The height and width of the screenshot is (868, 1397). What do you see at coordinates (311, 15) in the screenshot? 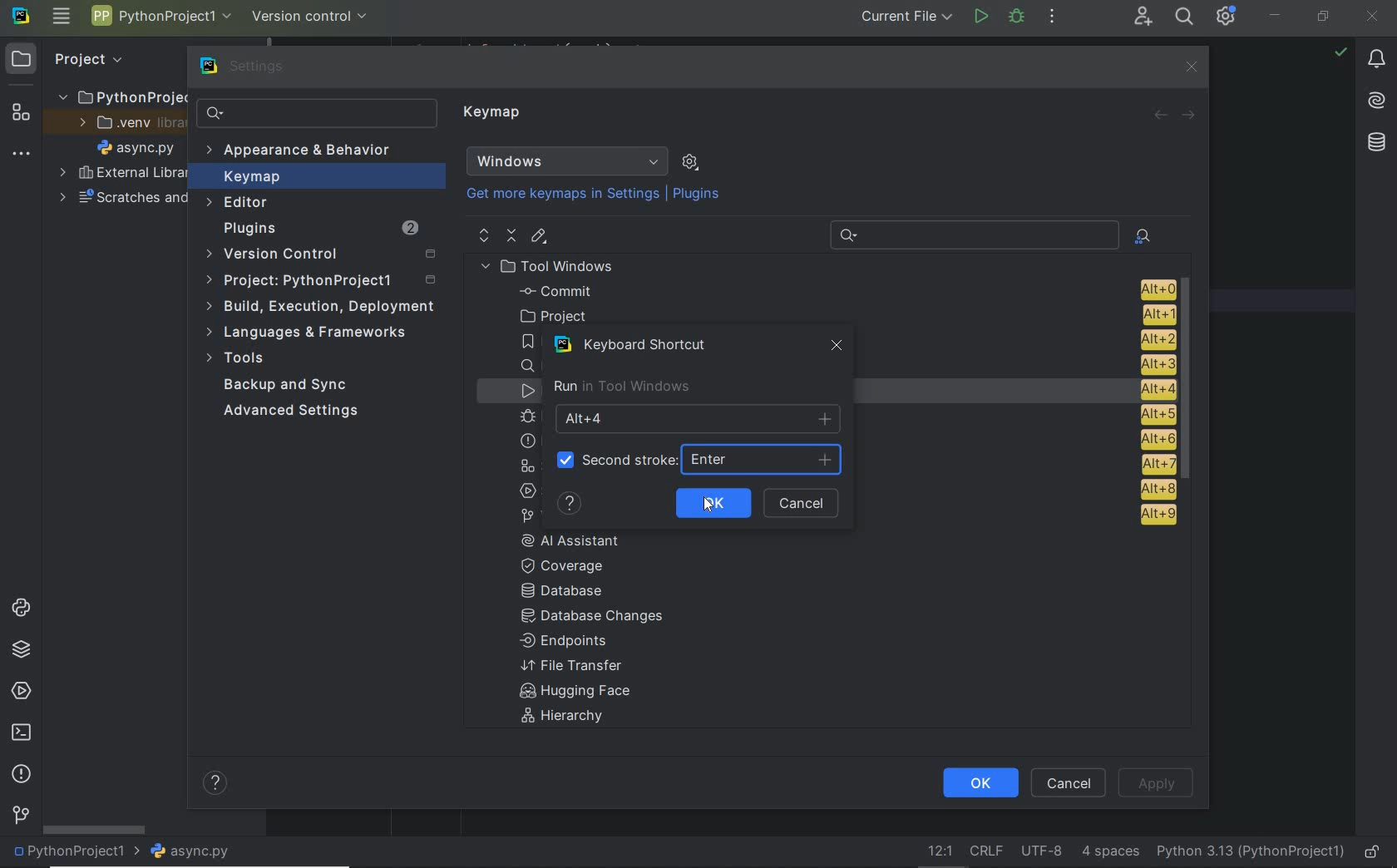
I see `version control` at bounding box center [311, 15].